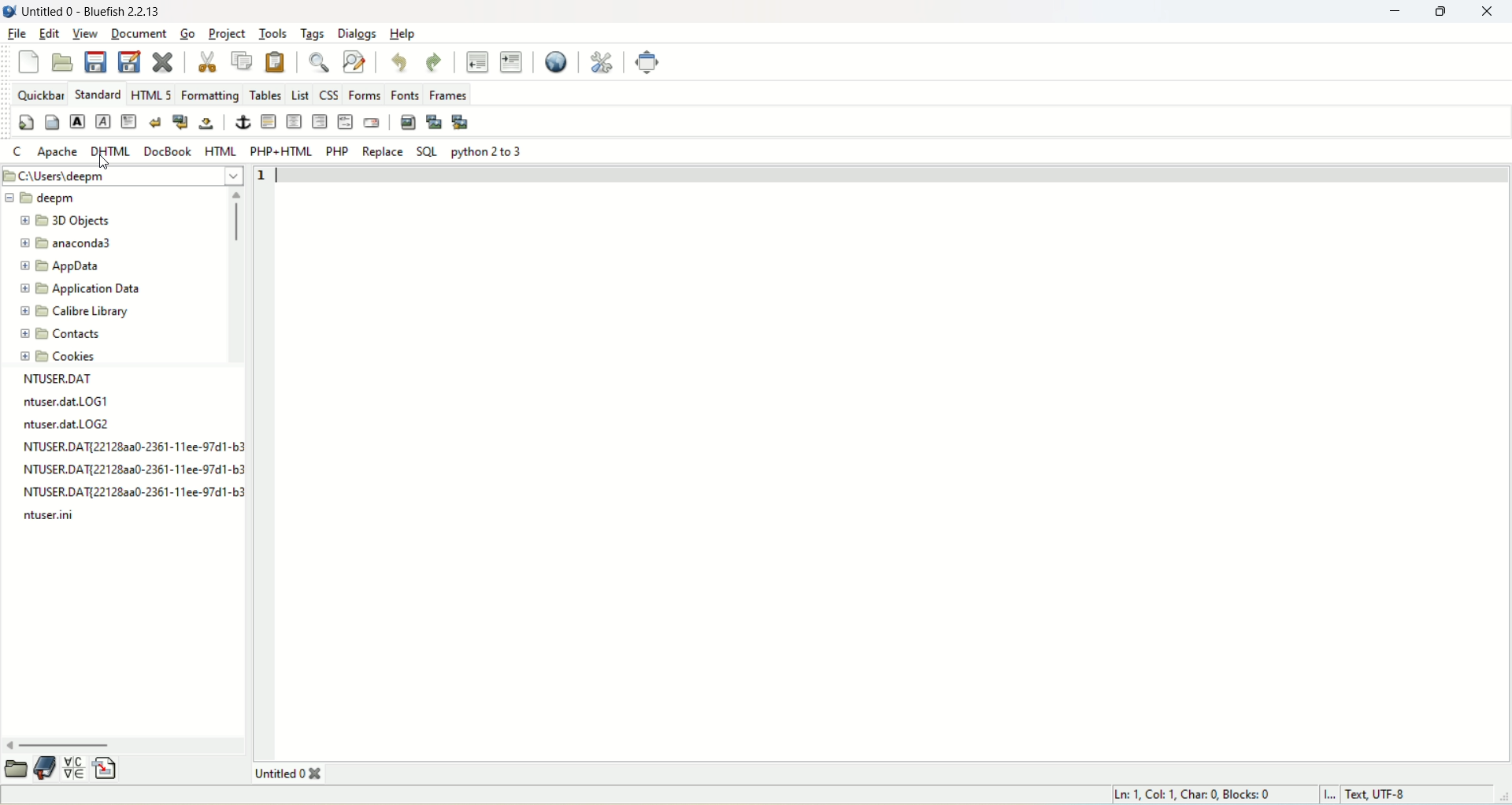 This screenshot has width=1512, height=805. Describe the element at coordinates (76, 770) in the screenshot. I see `insert special character` at that location.